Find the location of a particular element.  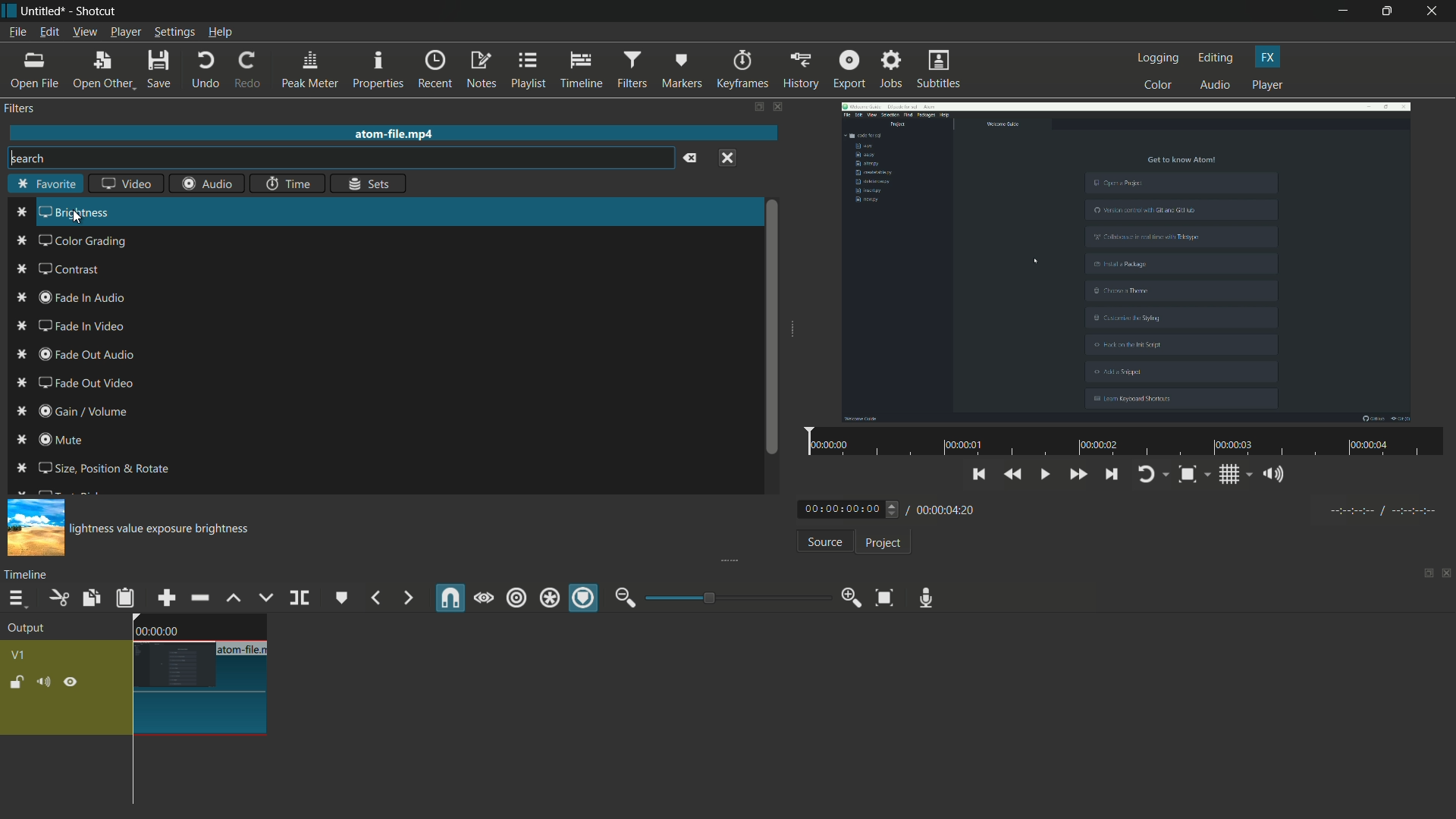

toggle play/pause is located at coordinates (1047, 475).